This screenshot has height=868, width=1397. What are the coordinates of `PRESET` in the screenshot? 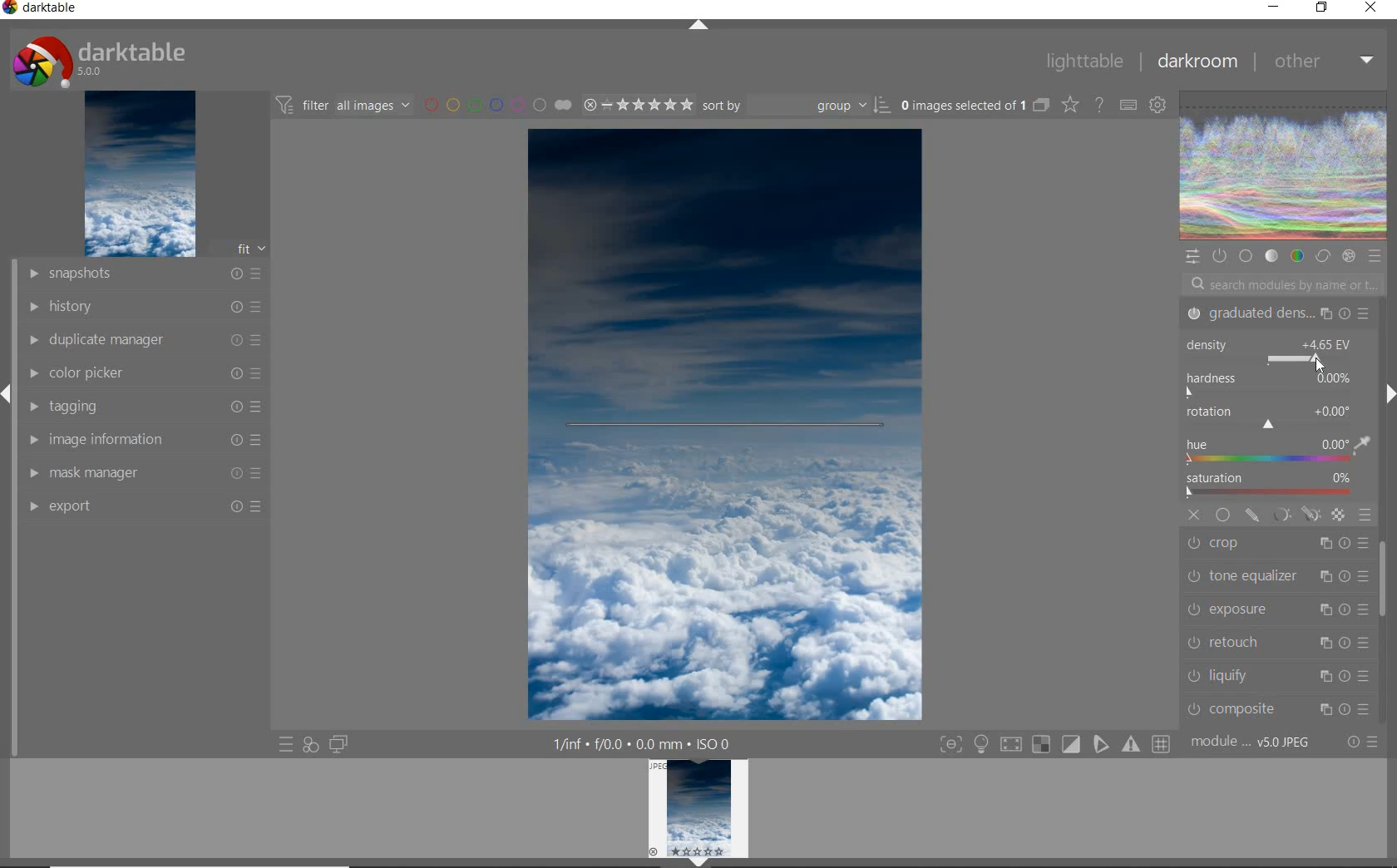 It's located at (1375, 256).